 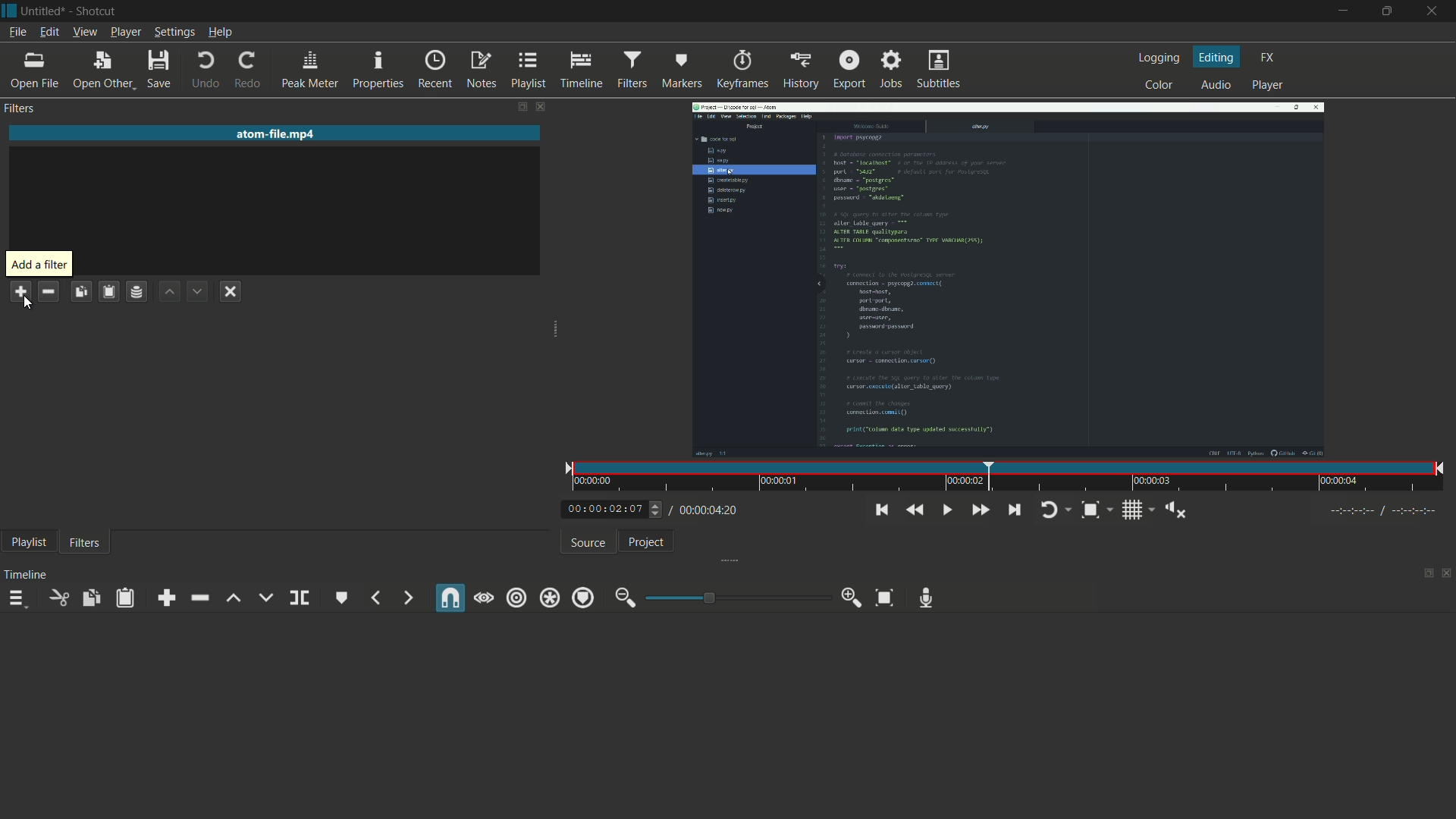 What do you see at coordinates (583, 598) in the screenshot?
I see `ripple markers` at bounding box center [583, 598].